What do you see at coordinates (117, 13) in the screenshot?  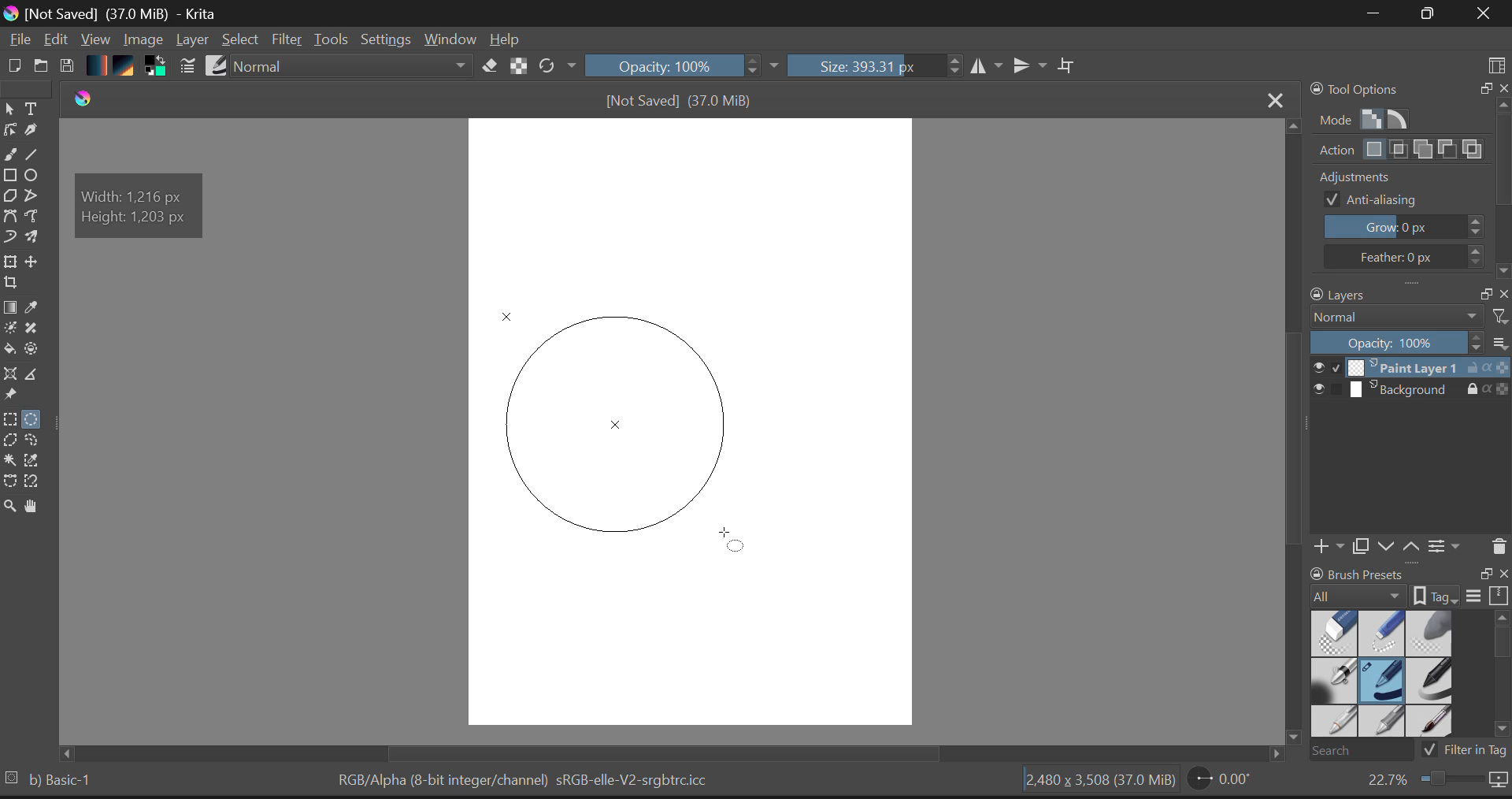 I see `Window Title` at bounding box center [117, 13].